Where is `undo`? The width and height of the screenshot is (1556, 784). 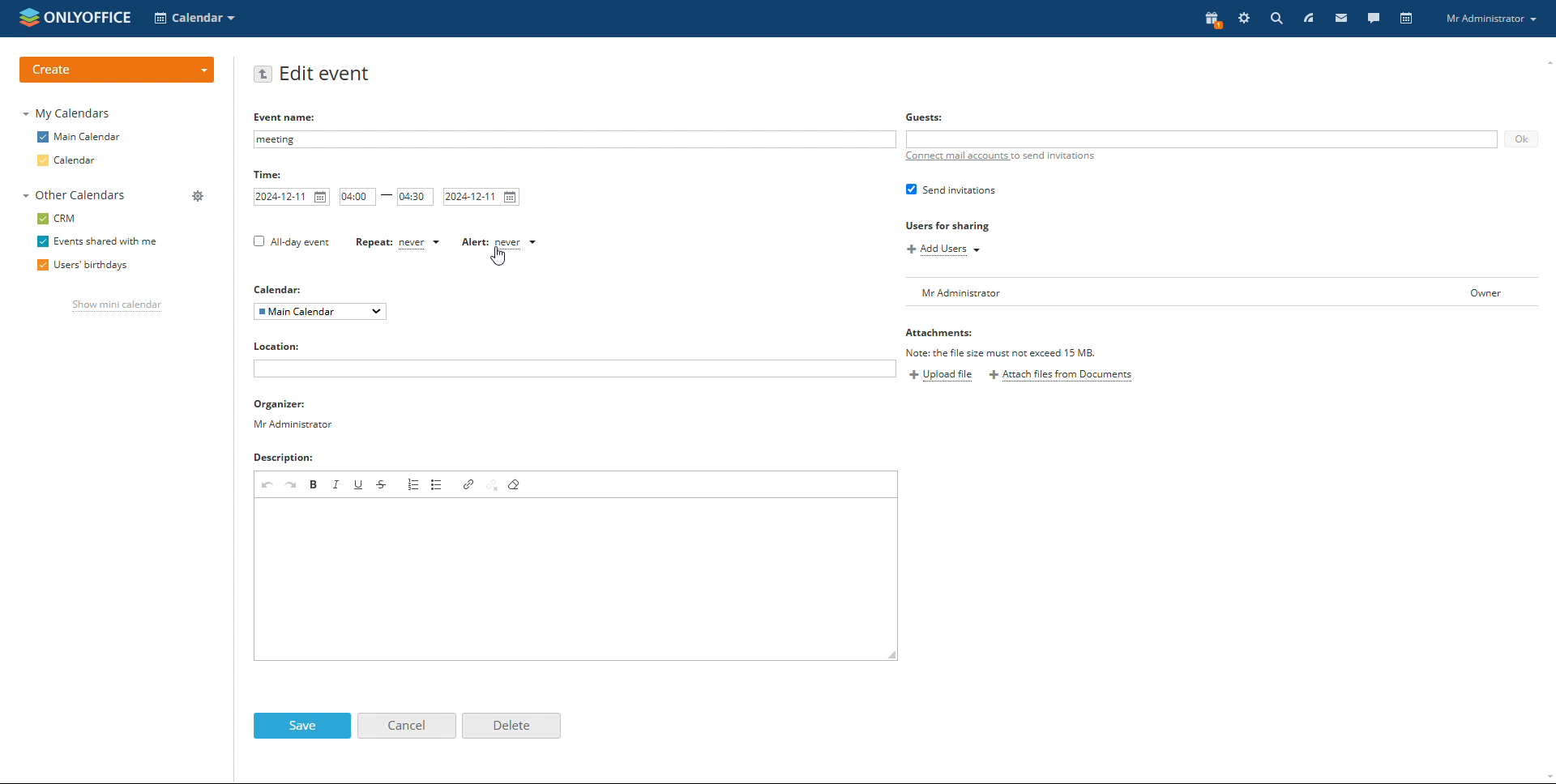 undo is located at coordinates (267, 484).